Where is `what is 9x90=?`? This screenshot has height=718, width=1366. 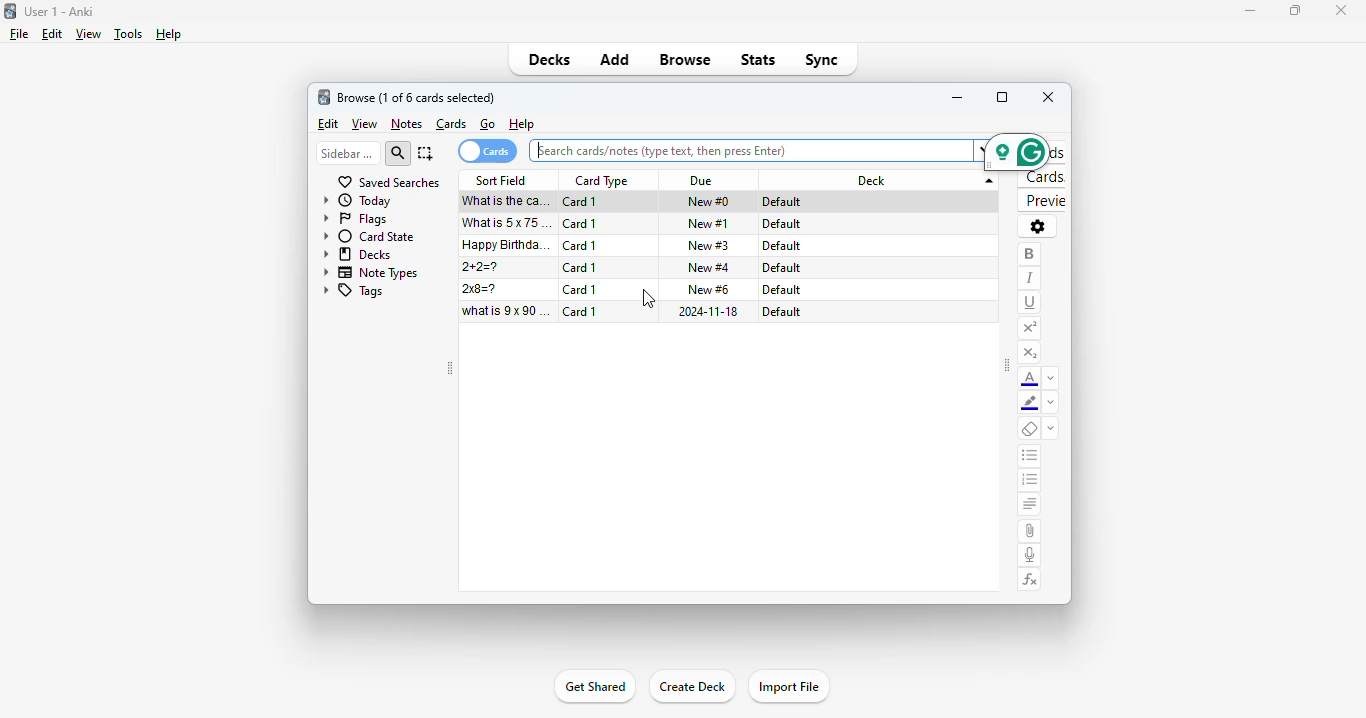
what is 9x90=? is located at coordinates (507, 311).